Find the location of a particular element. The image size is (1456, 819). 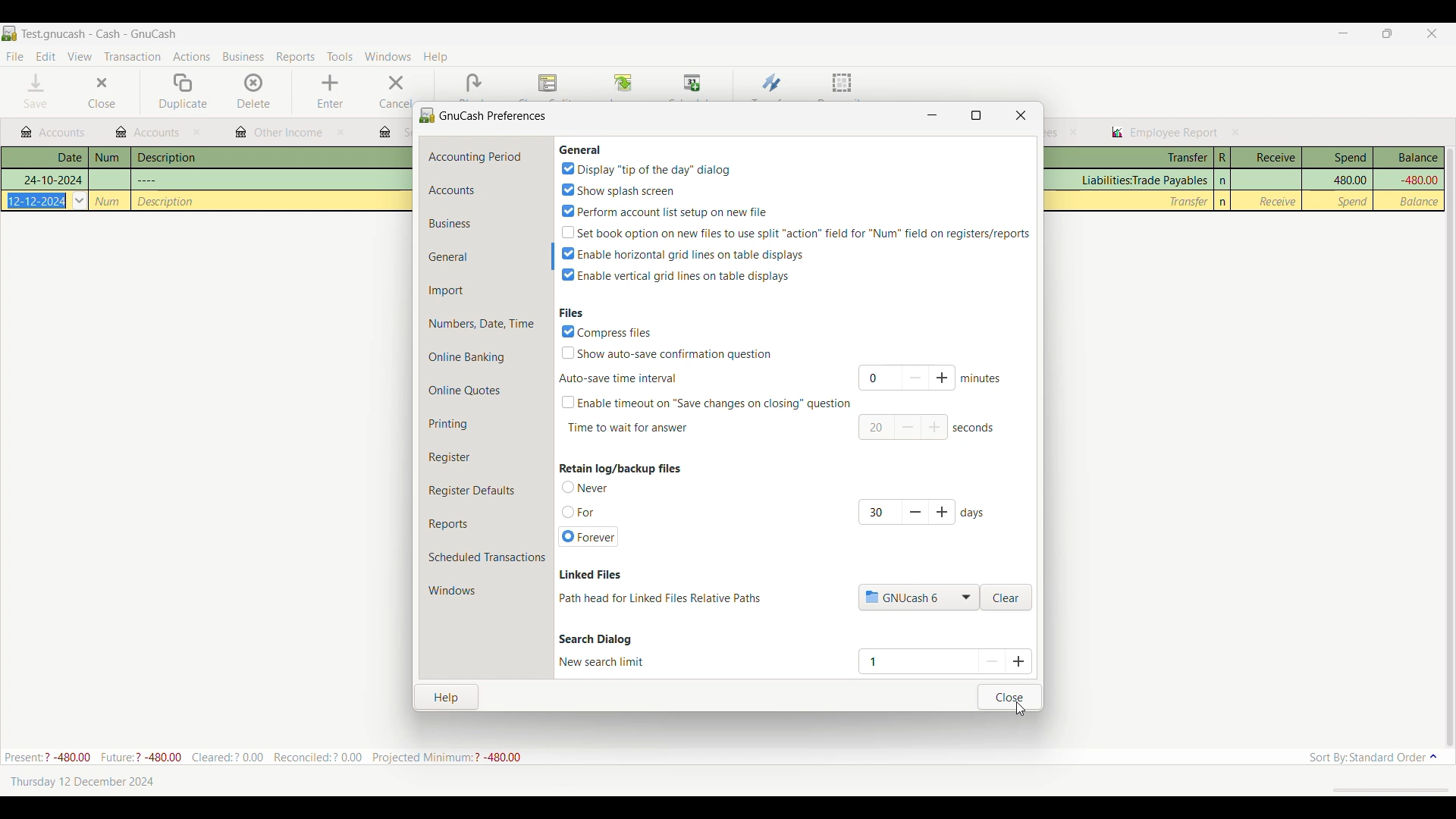

Close is located at coordinates (101, 92).